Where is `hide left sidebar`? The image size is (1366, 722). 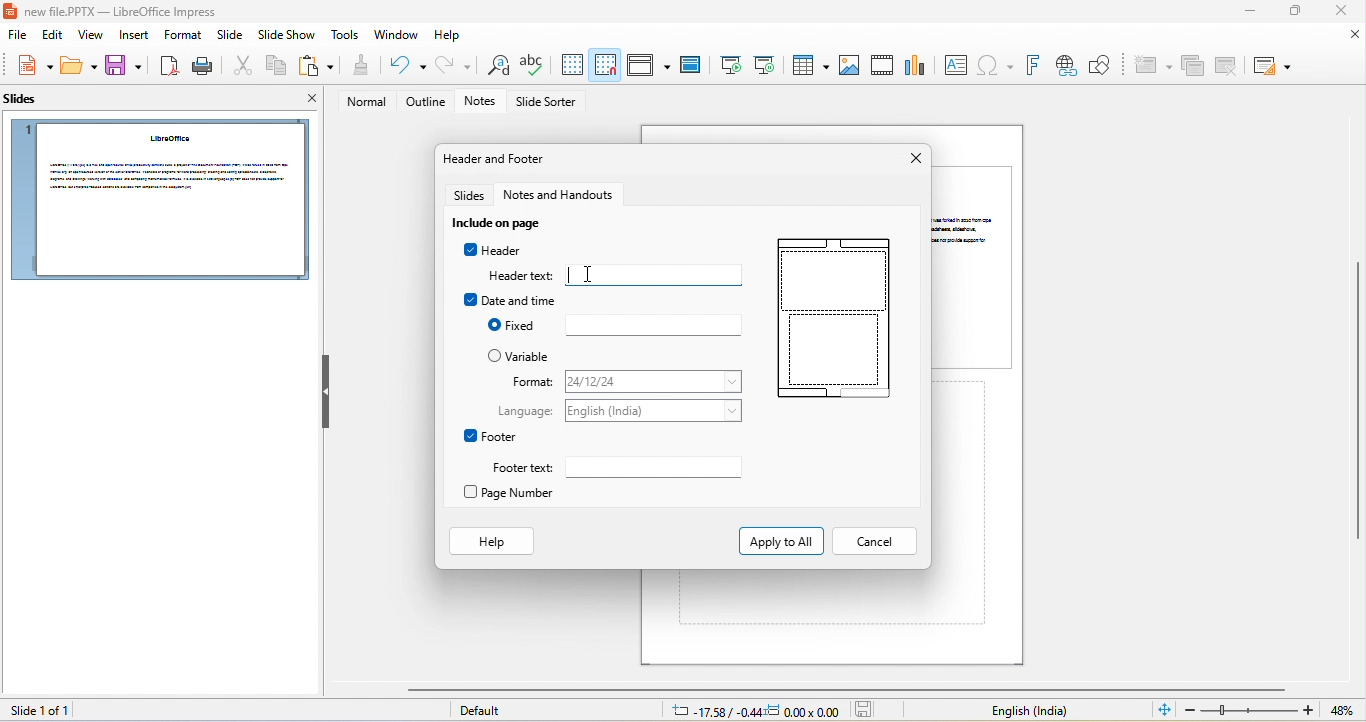
hide left sidebar is located at coordinates (326, 391).